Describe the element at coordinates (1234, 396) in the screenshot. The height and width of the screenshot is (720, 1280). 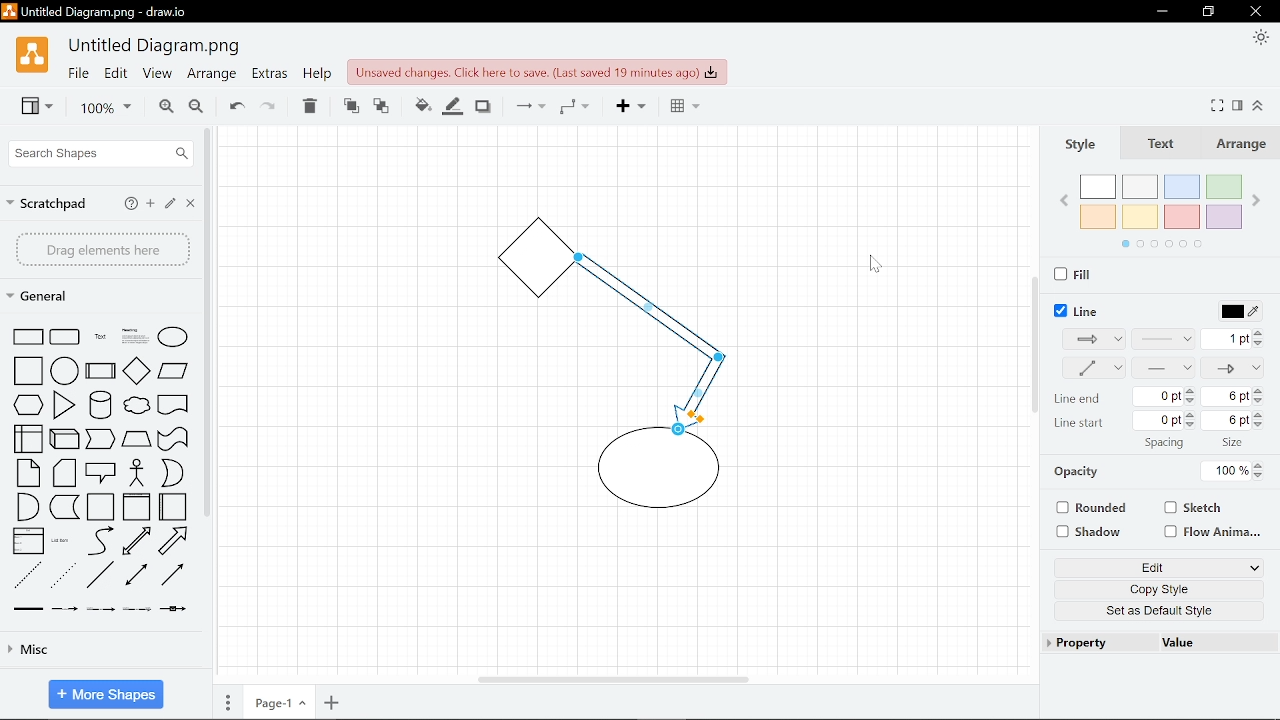
I see `6pts` at that location.